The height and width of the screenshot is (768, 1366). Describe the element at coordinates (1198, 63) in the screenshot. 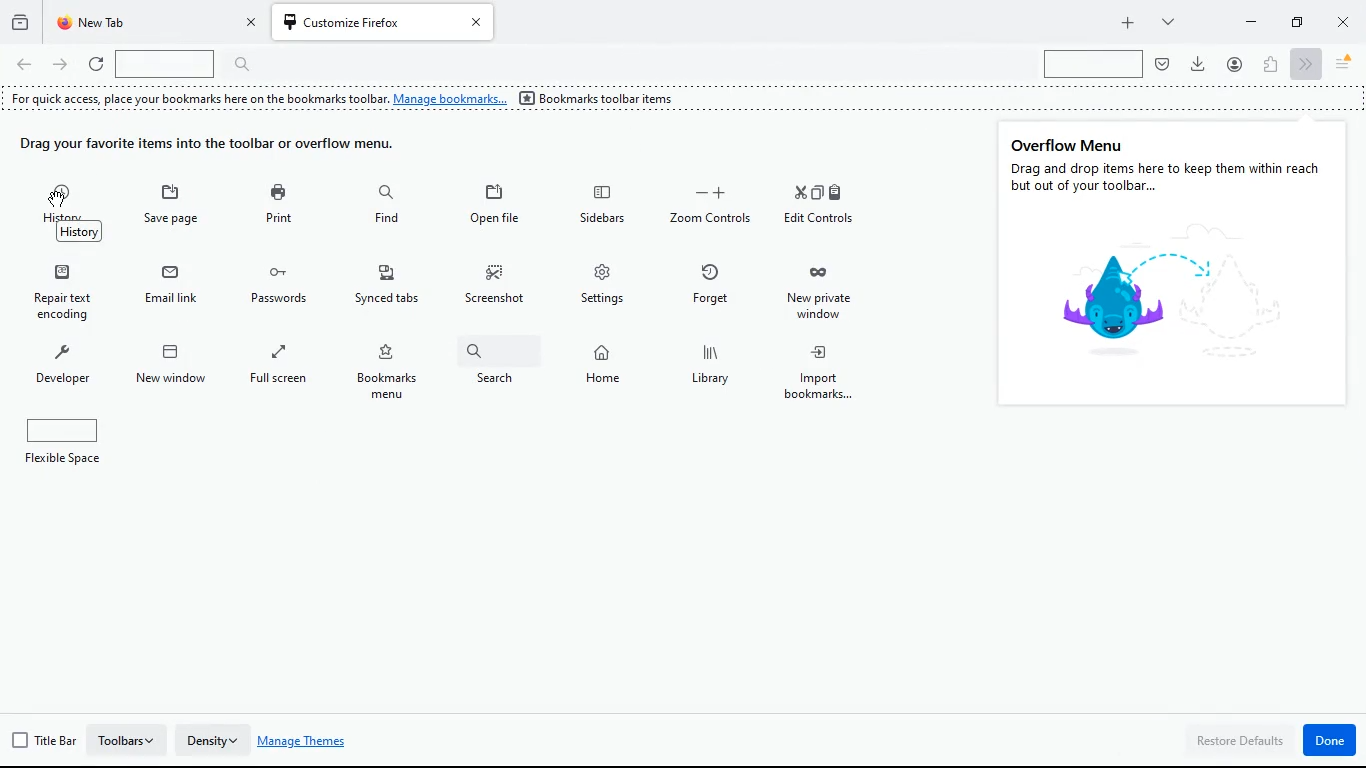

I see `Download` at that location.